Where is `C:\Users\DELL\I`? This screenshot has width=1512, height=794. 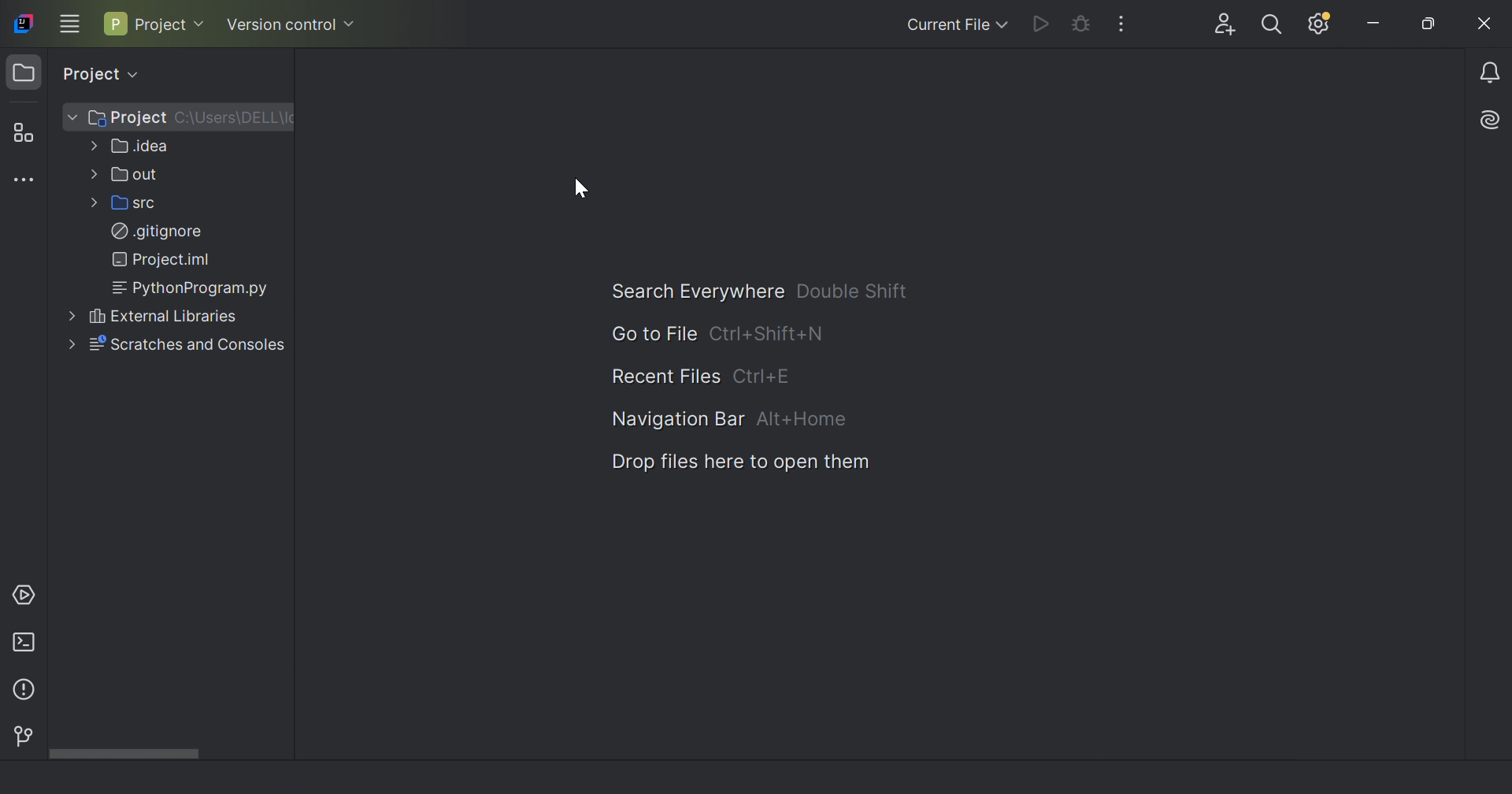
C:\Users\DELL\I is located at coordinates (232, 118).